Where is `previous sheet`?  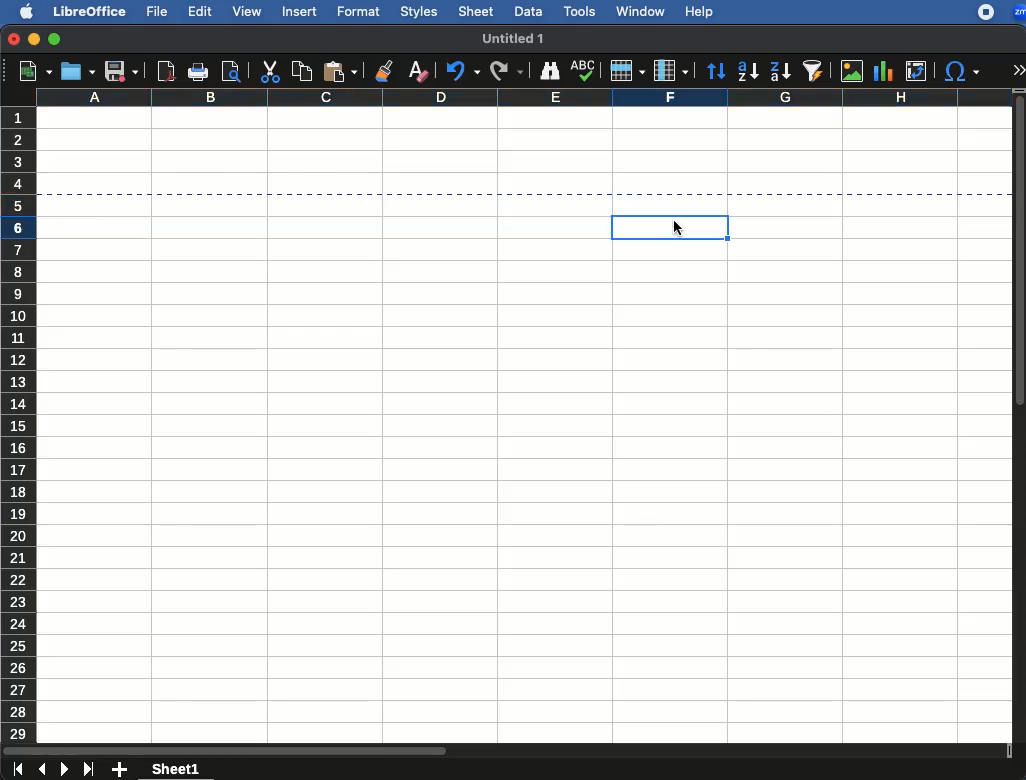 previous sheet is located at coordinates (40, 769).